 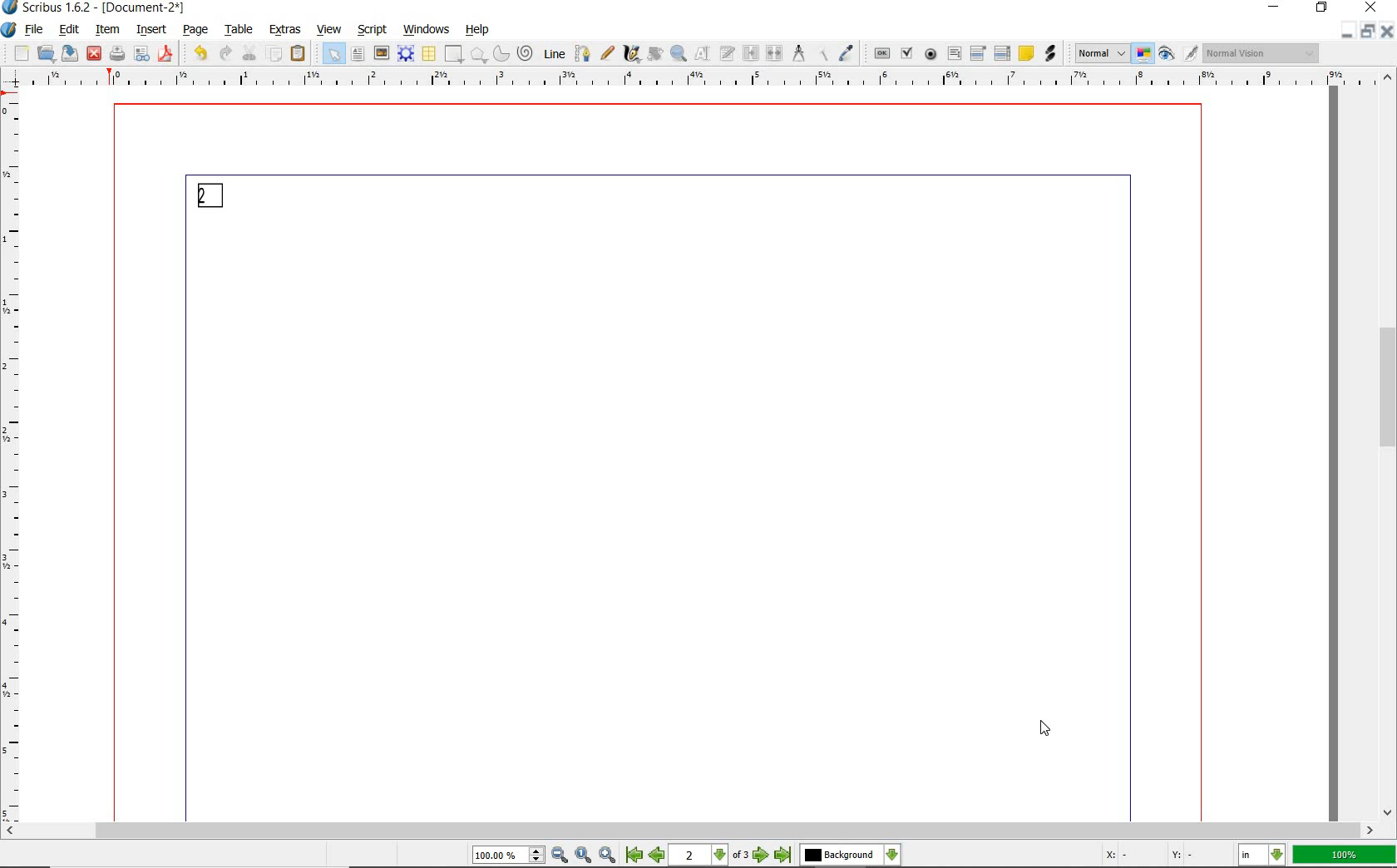 What do you see at coordinates (908, 55) in the screenshot?
I see `pdf check box` at bounding box center [908, 55].